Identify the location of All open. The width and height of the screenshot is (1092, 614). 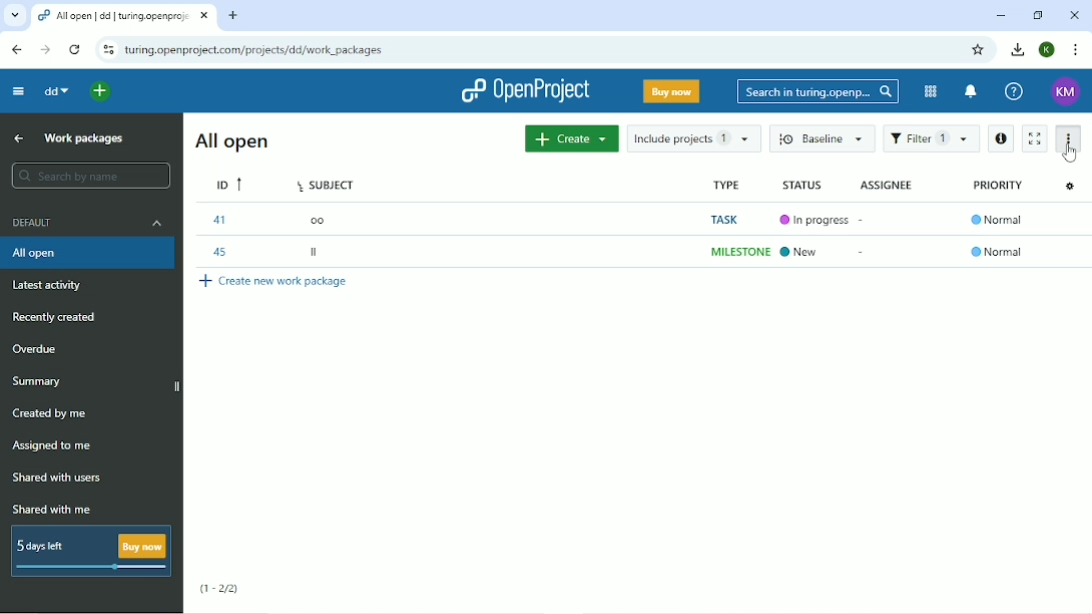
(232, 140).